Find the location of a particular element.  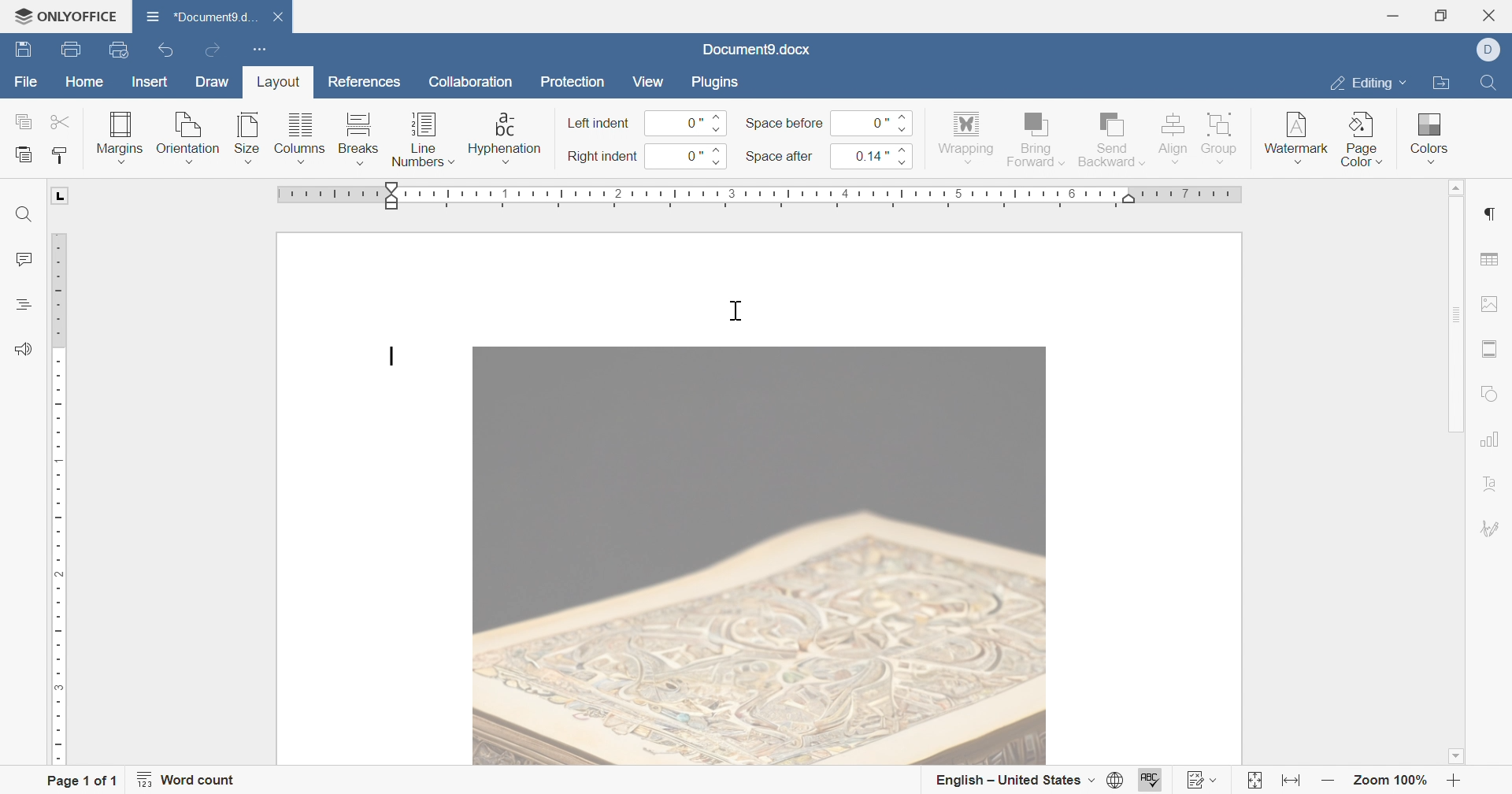

undo is located at coordinates (171, 52).